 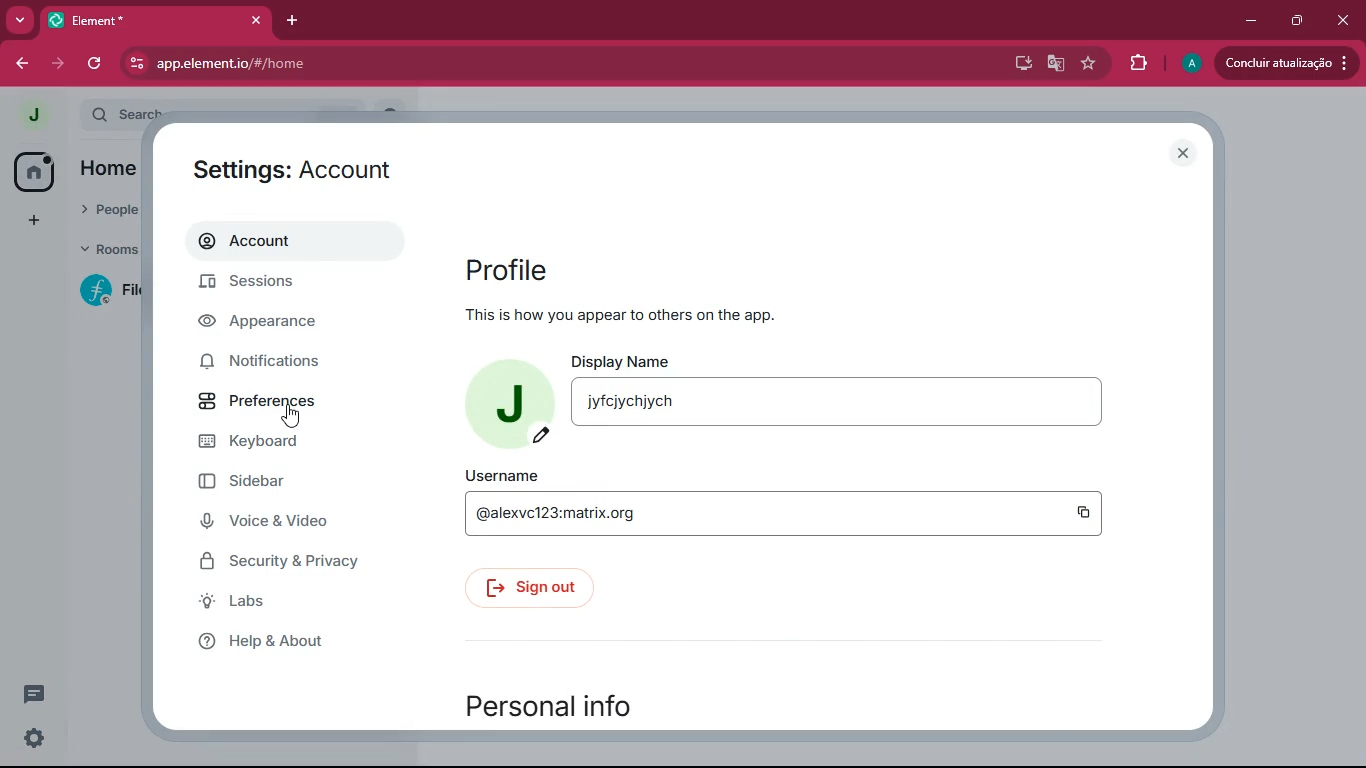 What do you see at coordinates (21, 64) in the screenshot?
I see `back` at bounding box center [21, 64].